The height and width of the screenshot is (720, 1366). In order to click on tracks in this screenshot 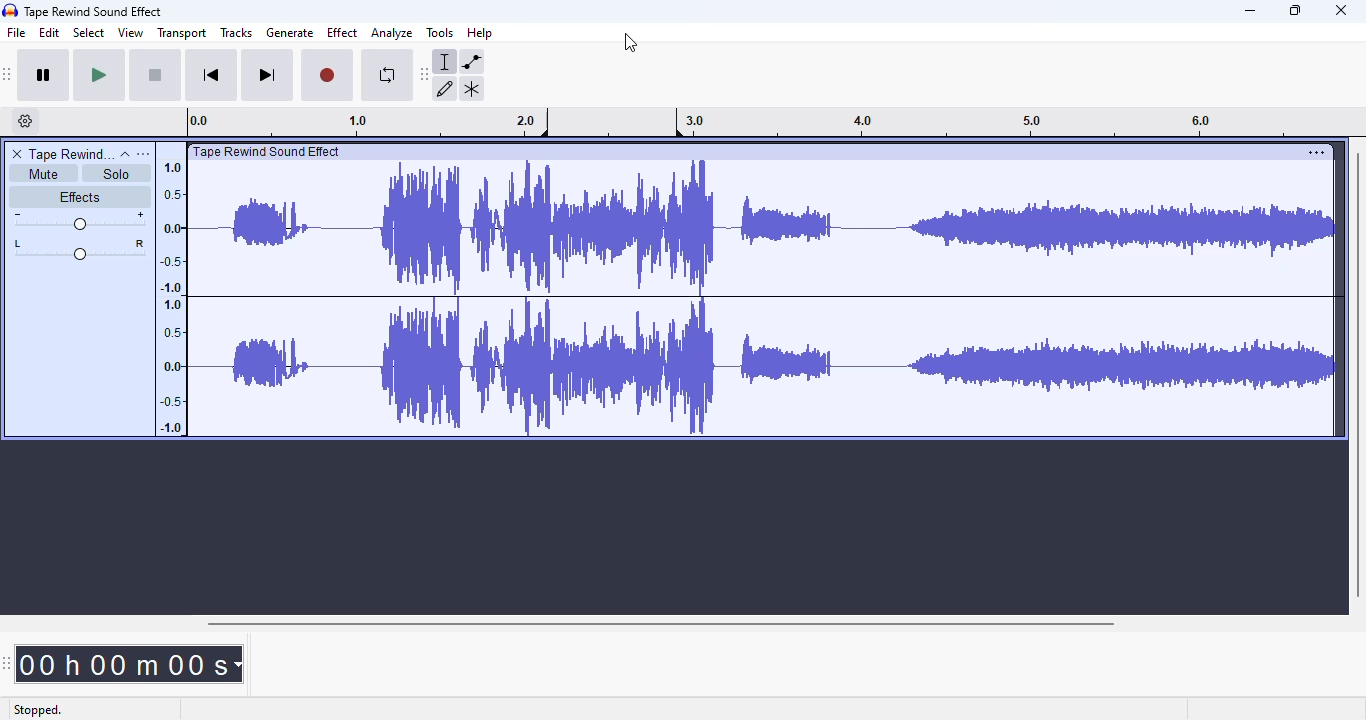, I will do `click(237, 33)`.